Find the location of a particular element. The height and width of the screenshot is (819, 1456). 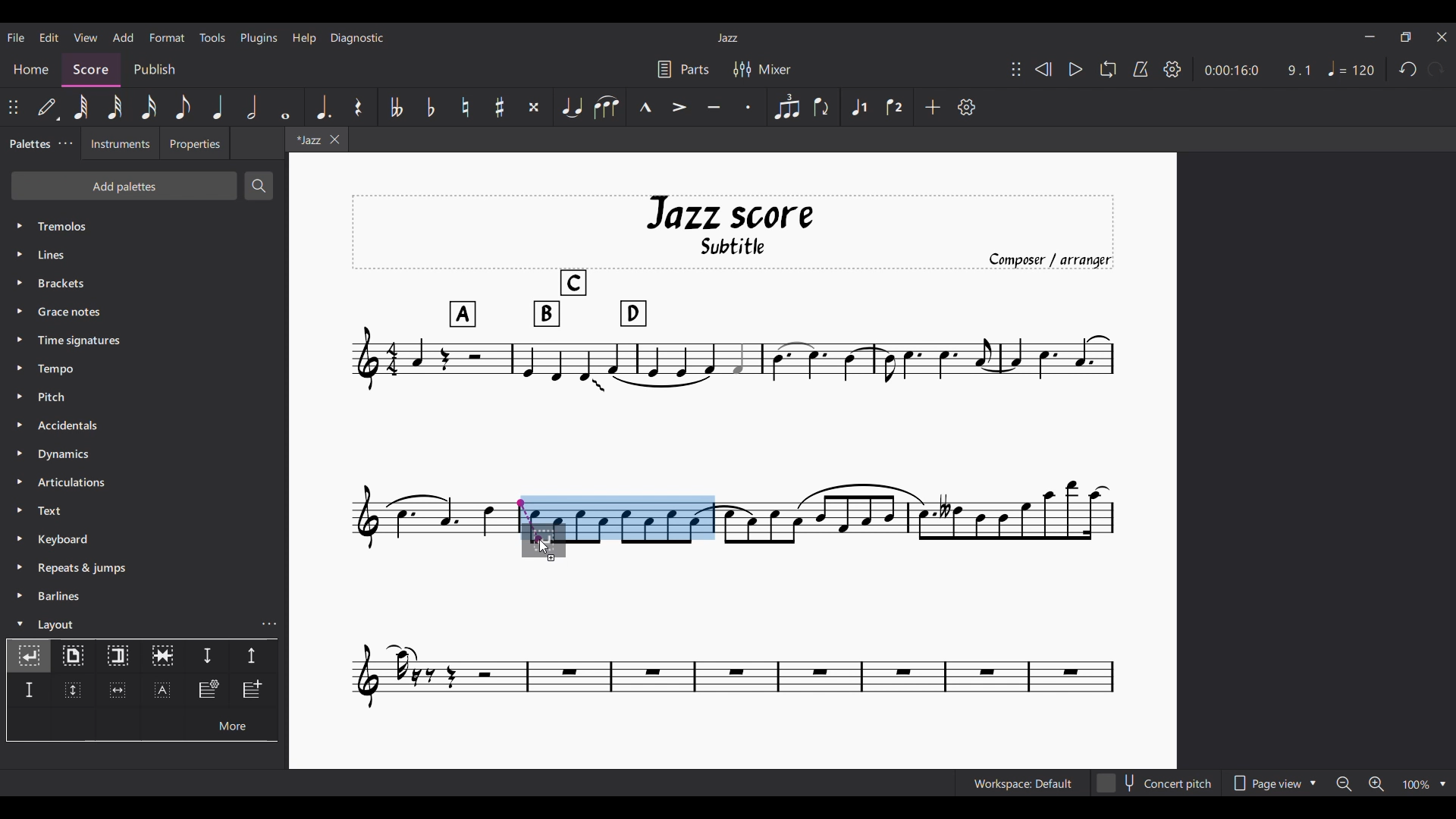

Workspace: Default is located at coordinates (1023, 783).